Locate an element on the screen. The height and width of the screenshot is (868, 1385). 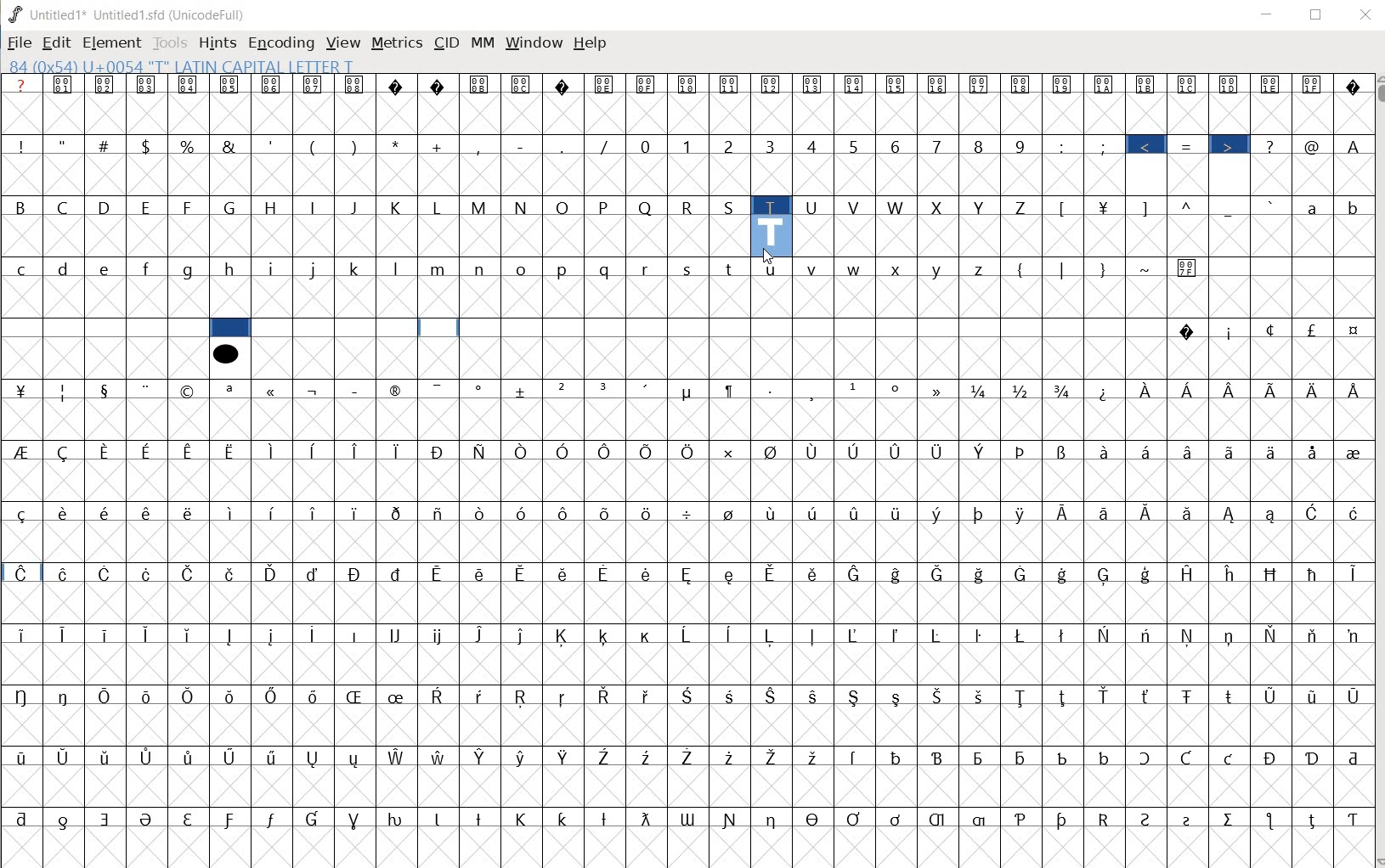
Symbol is located at coordinates (898, 819).